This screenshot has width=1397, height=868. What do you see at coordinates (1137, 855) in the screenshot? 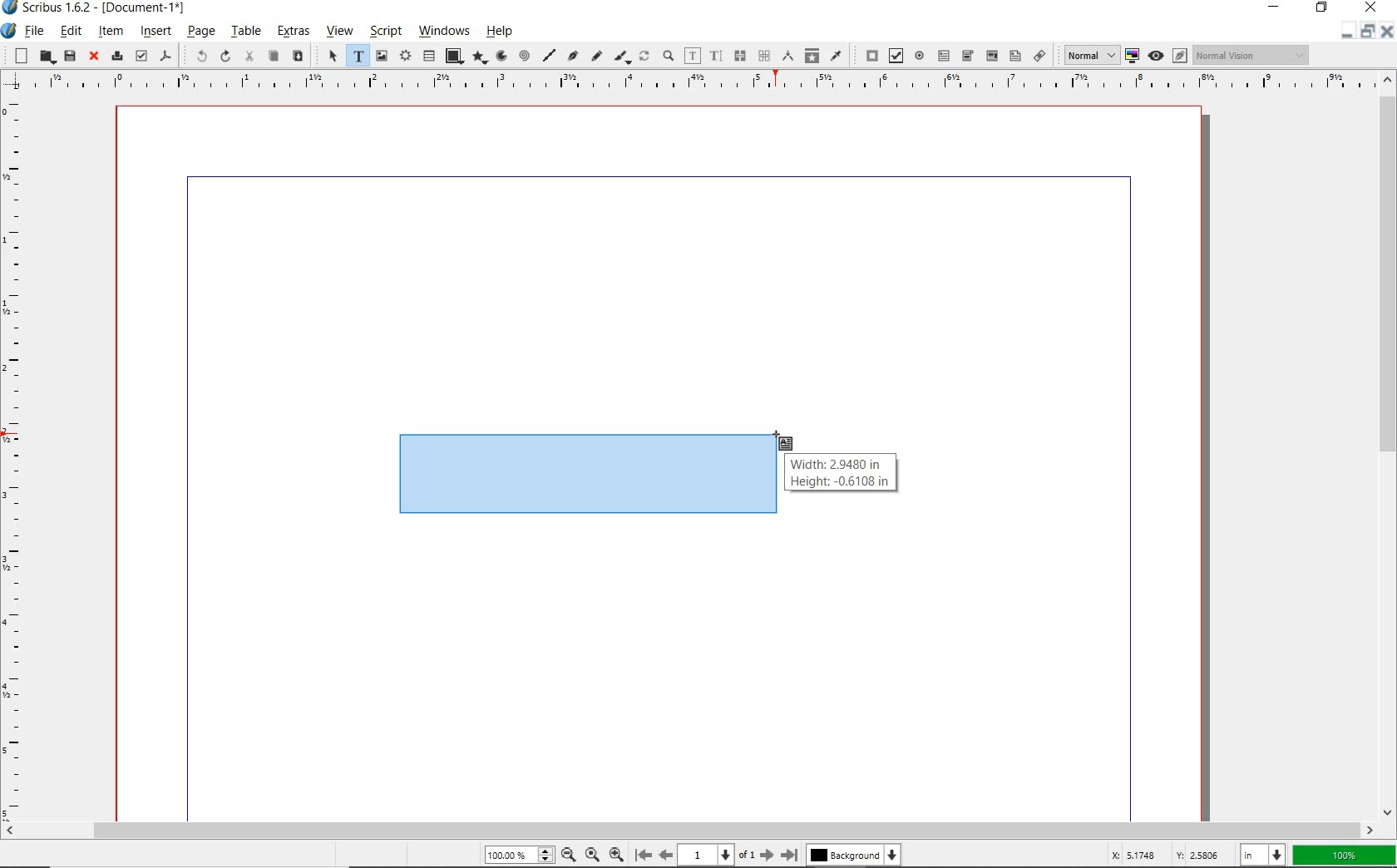
I see `X: 5.1748` at bounding box center [1137, 855].